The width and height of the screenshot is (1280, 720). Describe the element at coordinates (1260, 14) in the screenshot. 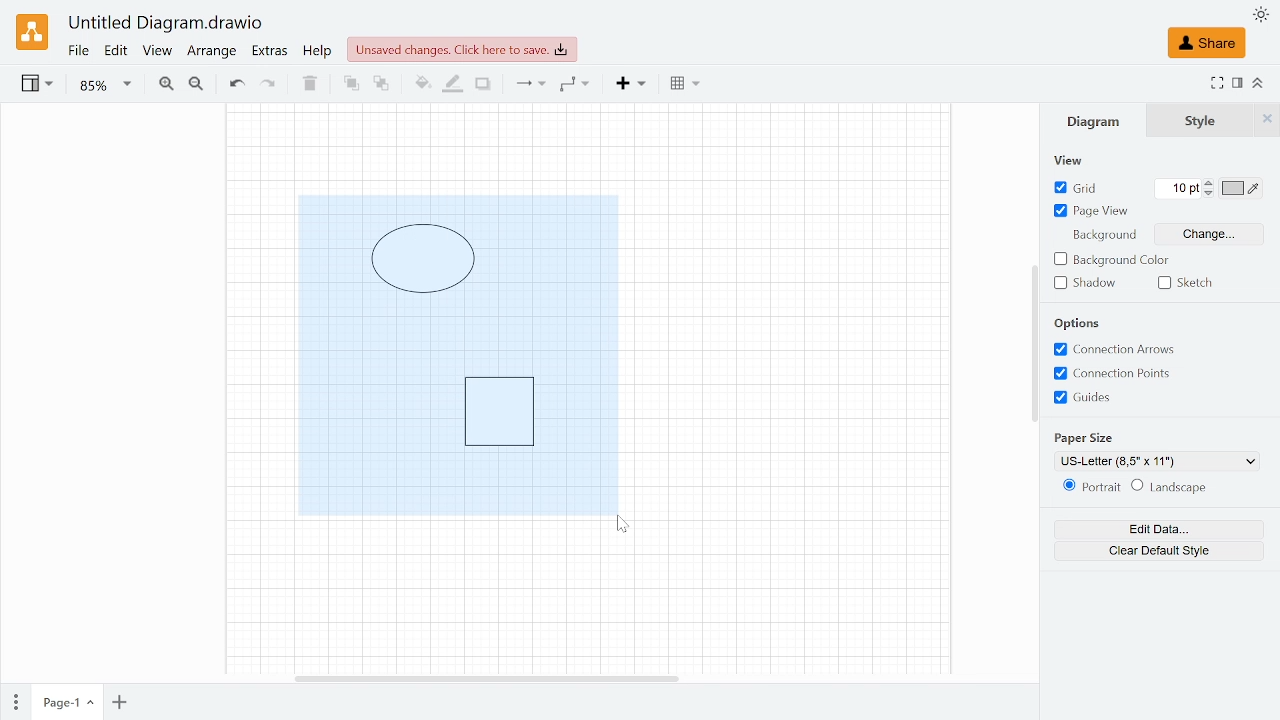

I see `Appearence` at that location.